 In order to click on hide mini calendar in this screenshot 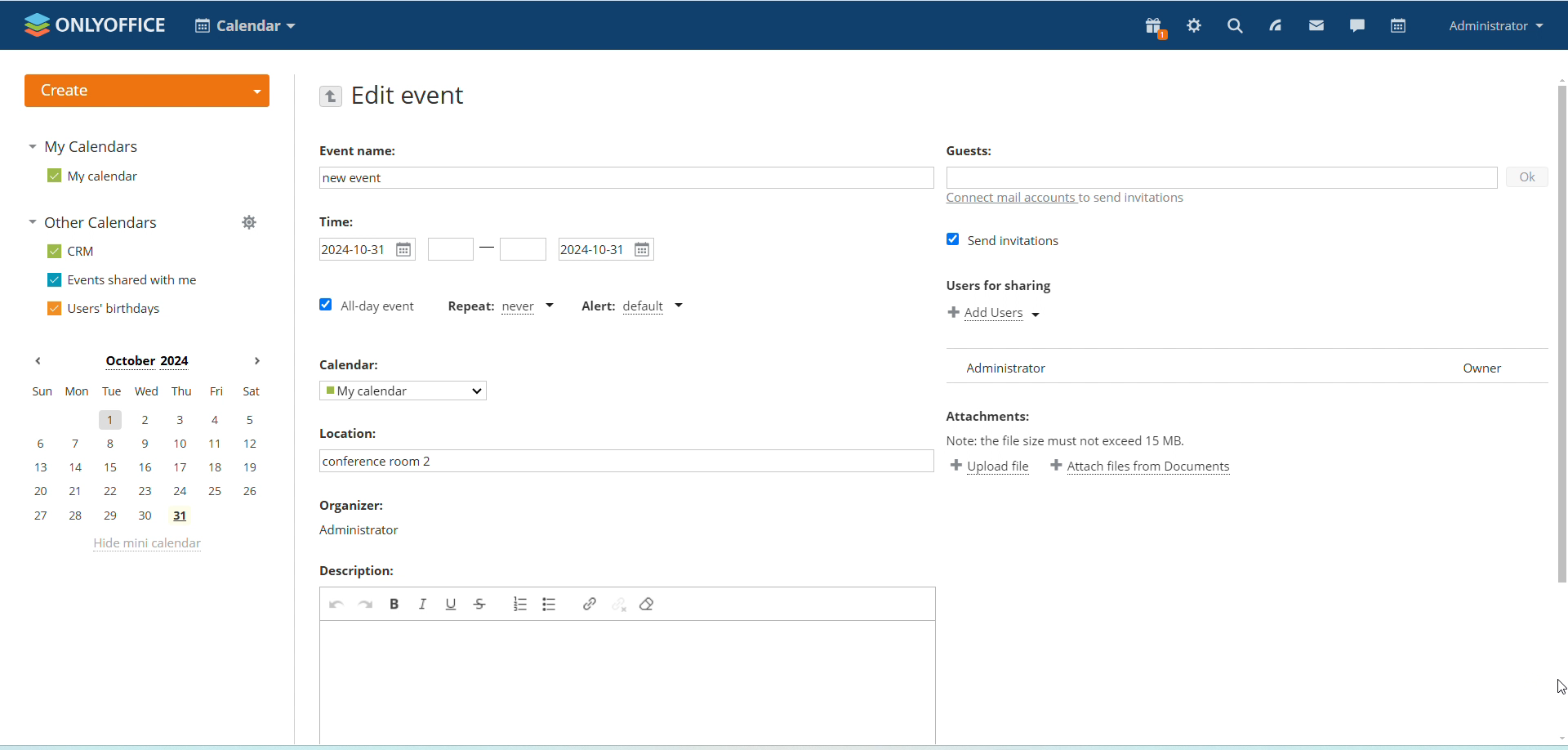, I will do `click(145, 547)`.